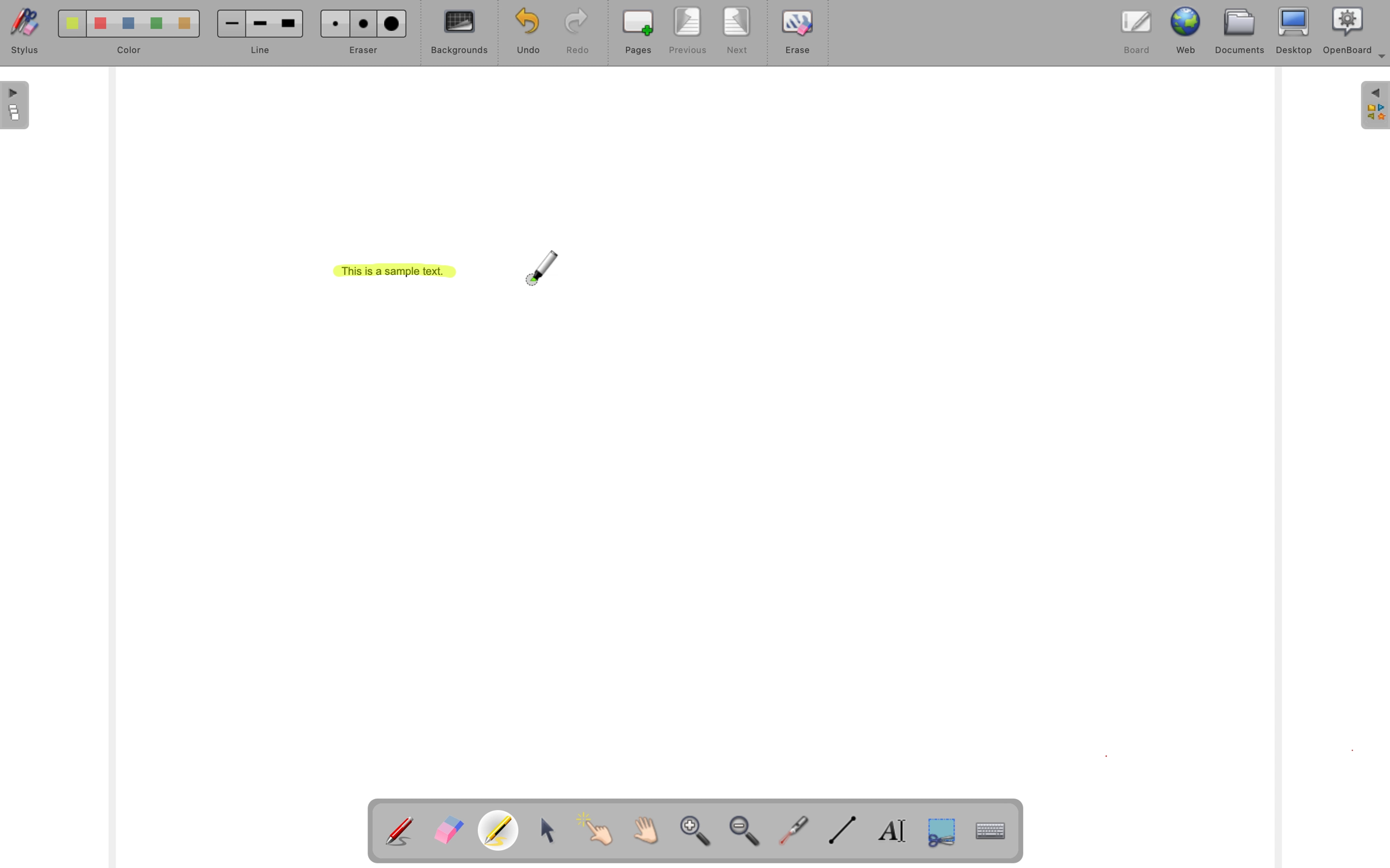 Image resolution: width=1390 pixels, height=868 pixels. Describe the element at coordinates (261, 51) in the screenshot. I see `line` at that location.